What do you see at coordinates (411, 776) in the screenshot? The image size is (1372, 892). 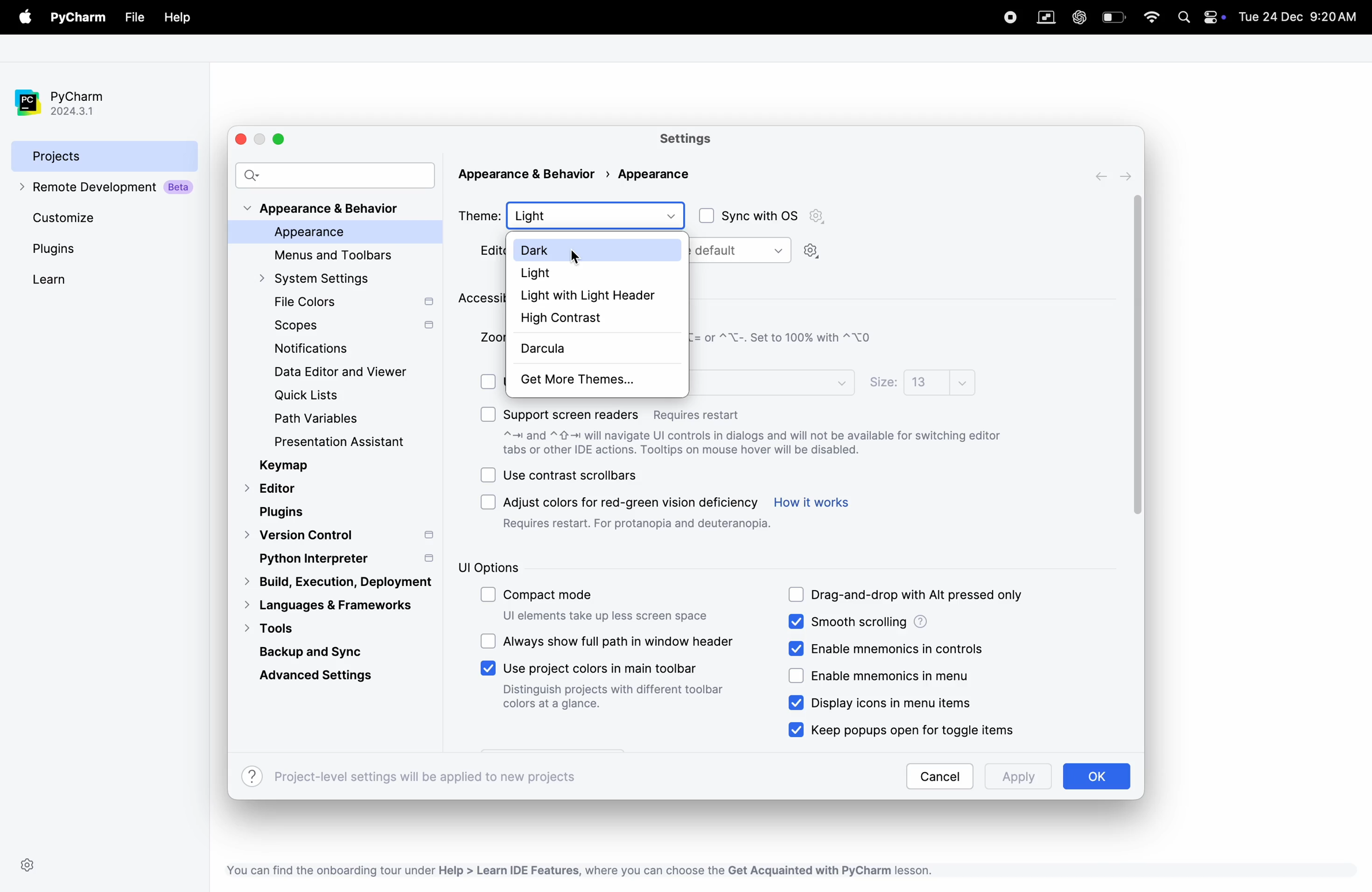 I see `project level setings` at bounding box center [411, 776].